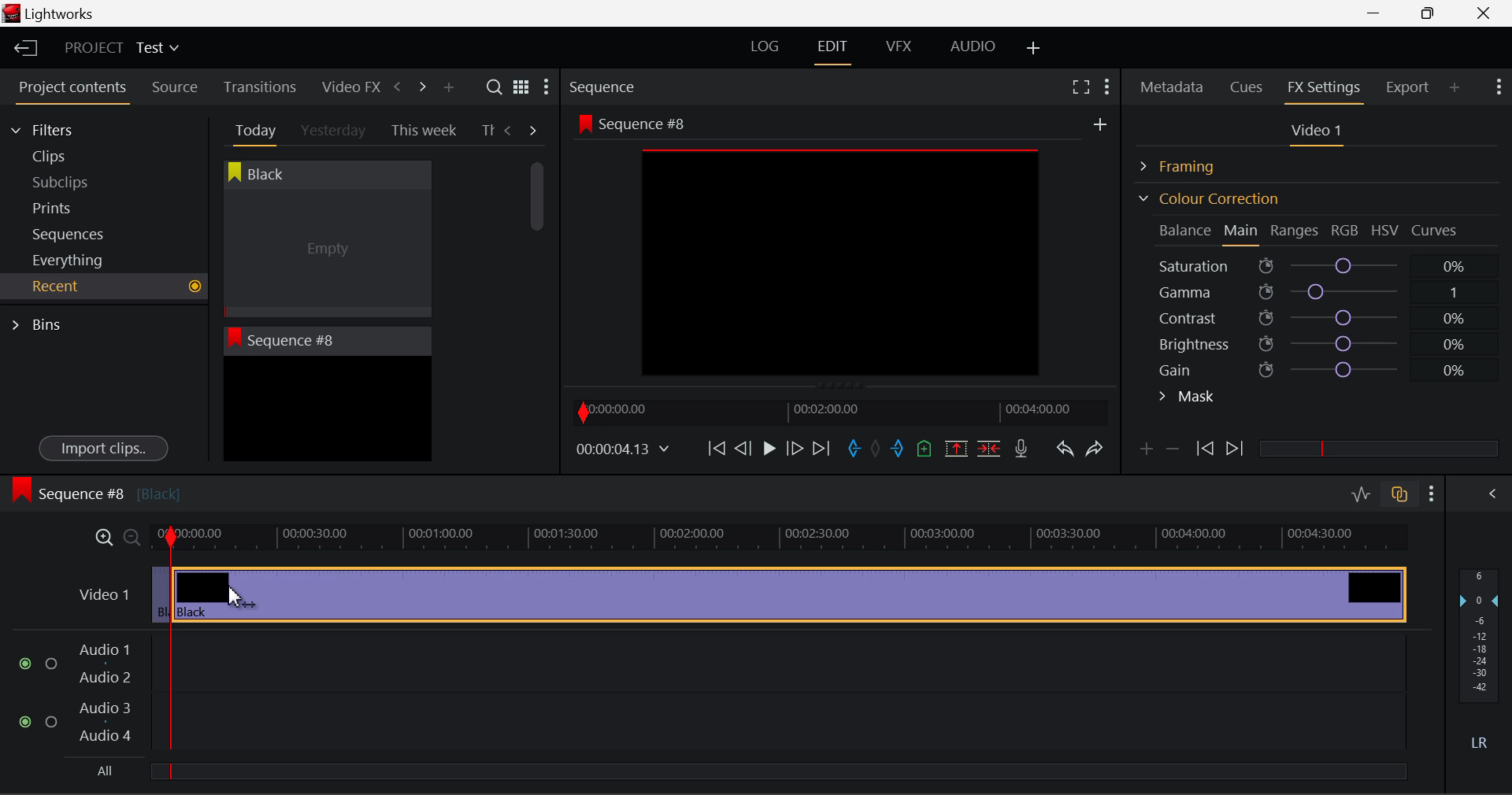 The width and height of the screenshot is (1512, 795). Describe the element at coordinates (545, 91) in the screenshot. I see `Show Settings` at that location.